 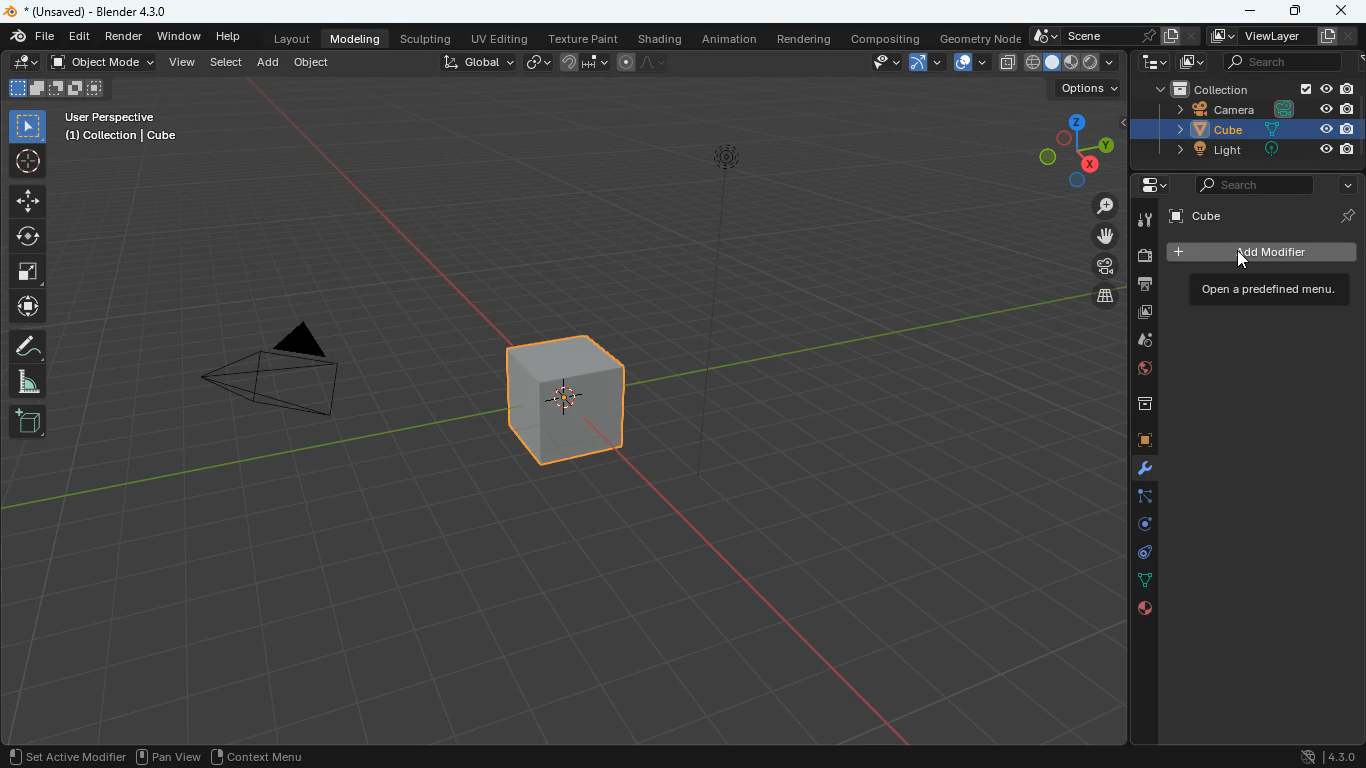 What do you see at coordinates (82, 37) in the screenshot?
I see `edit` at bounding box center [82, 37].